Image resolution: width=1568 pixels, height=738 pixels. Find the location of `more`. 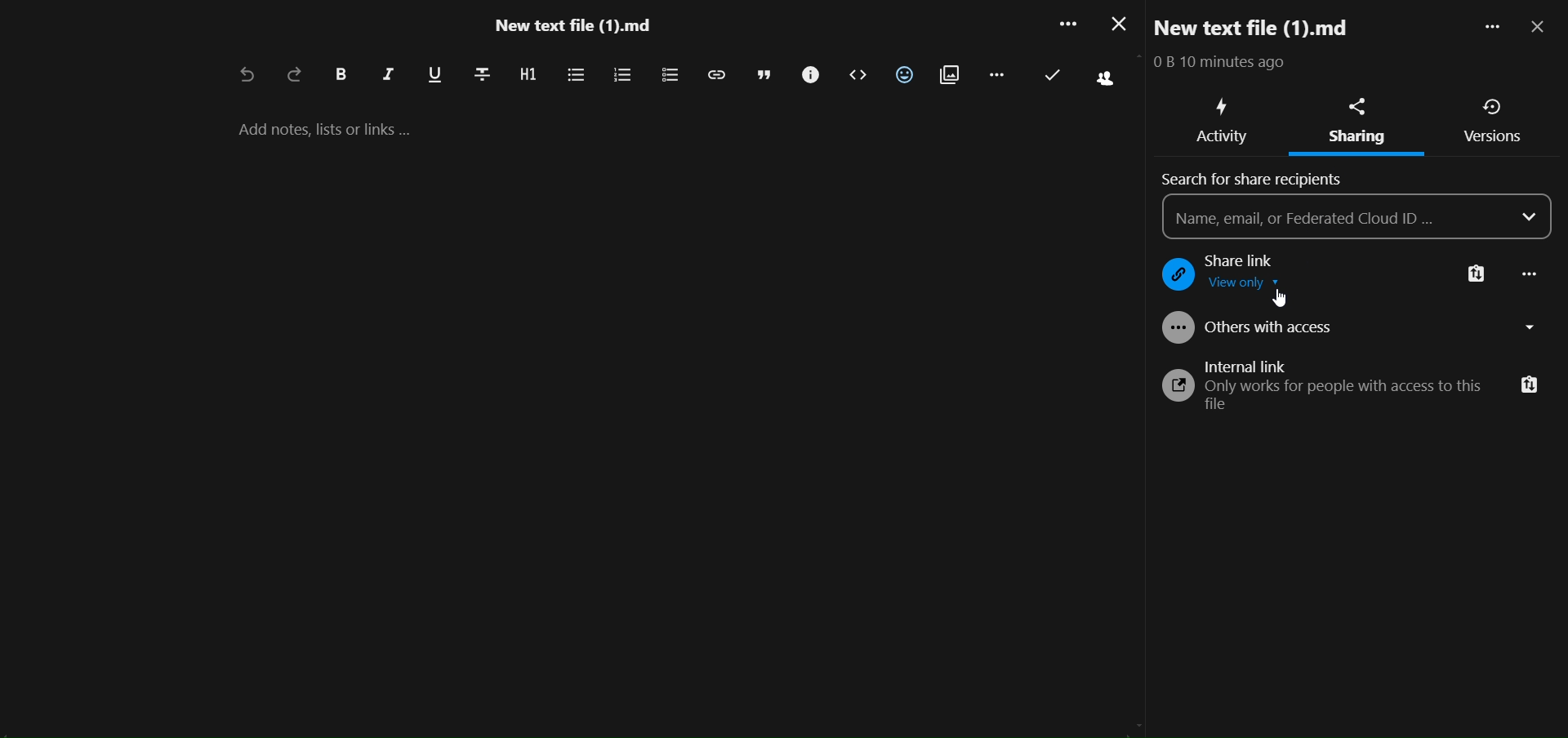

more is located at coordinates (1486, 29).